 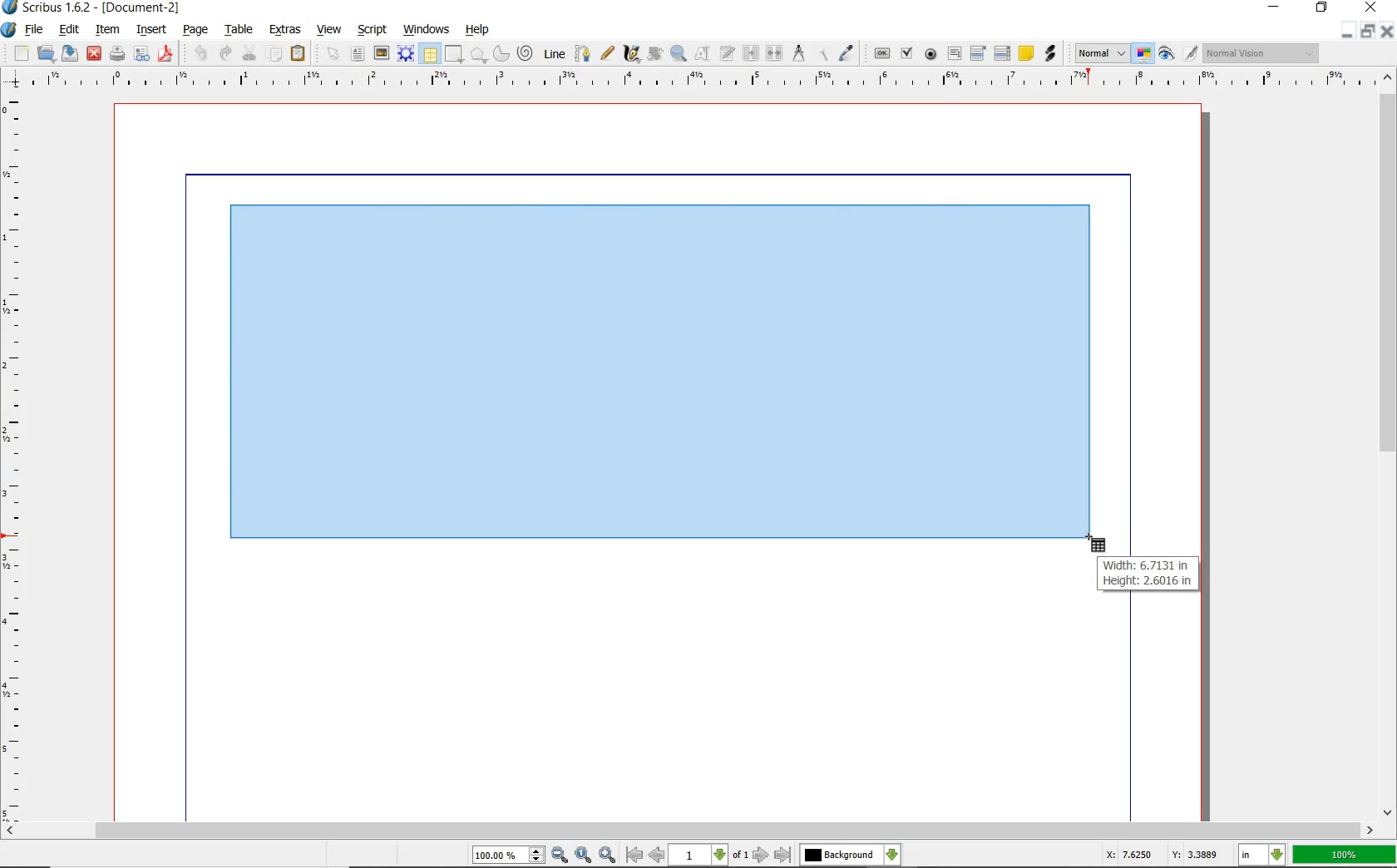 I want to click on help, so click(x=480, y=32).